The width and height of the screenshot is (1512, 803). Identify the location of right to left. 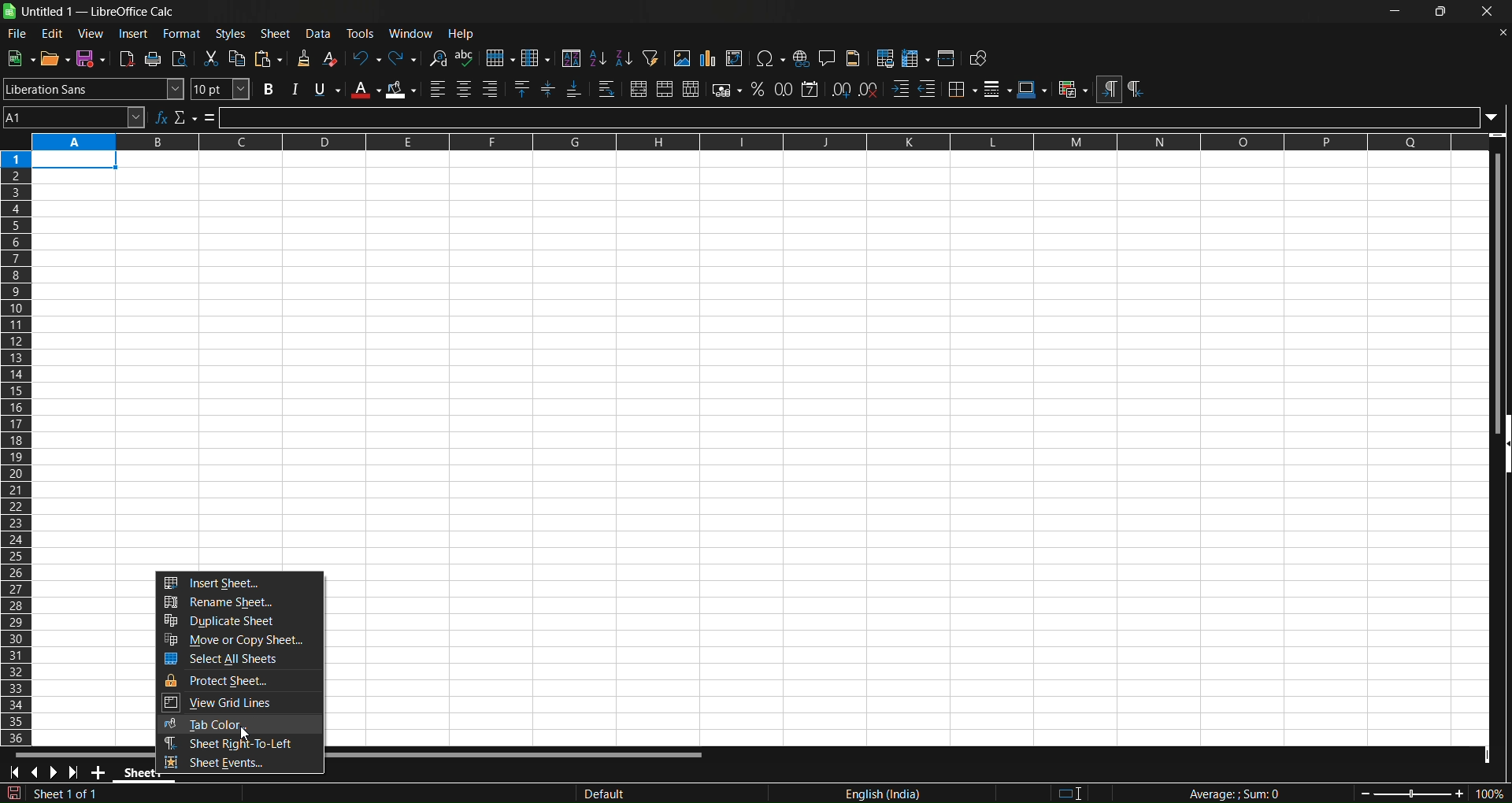
(1135, 90).